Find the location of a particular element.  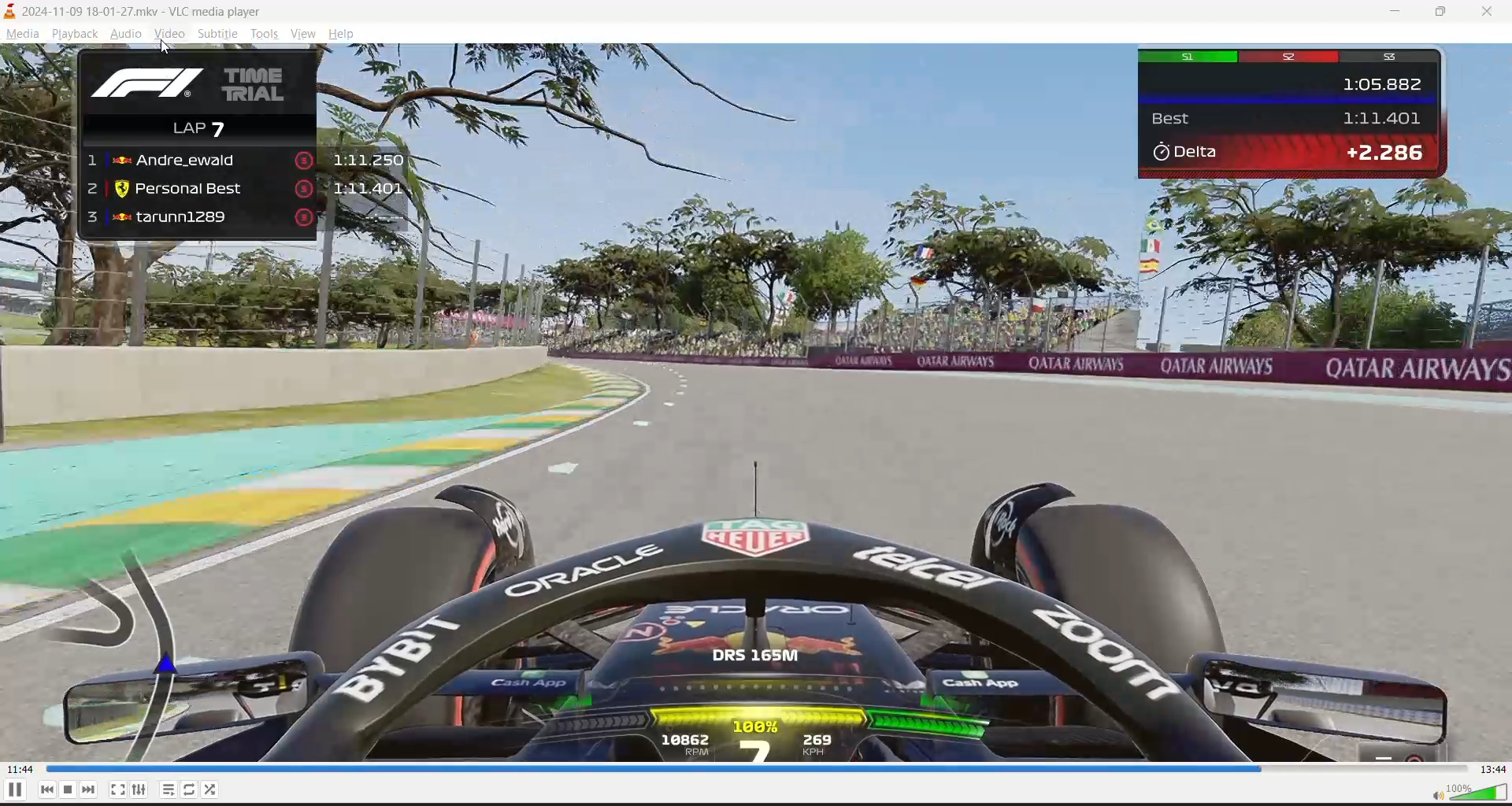

vibe is located at coordinates (302, 33).